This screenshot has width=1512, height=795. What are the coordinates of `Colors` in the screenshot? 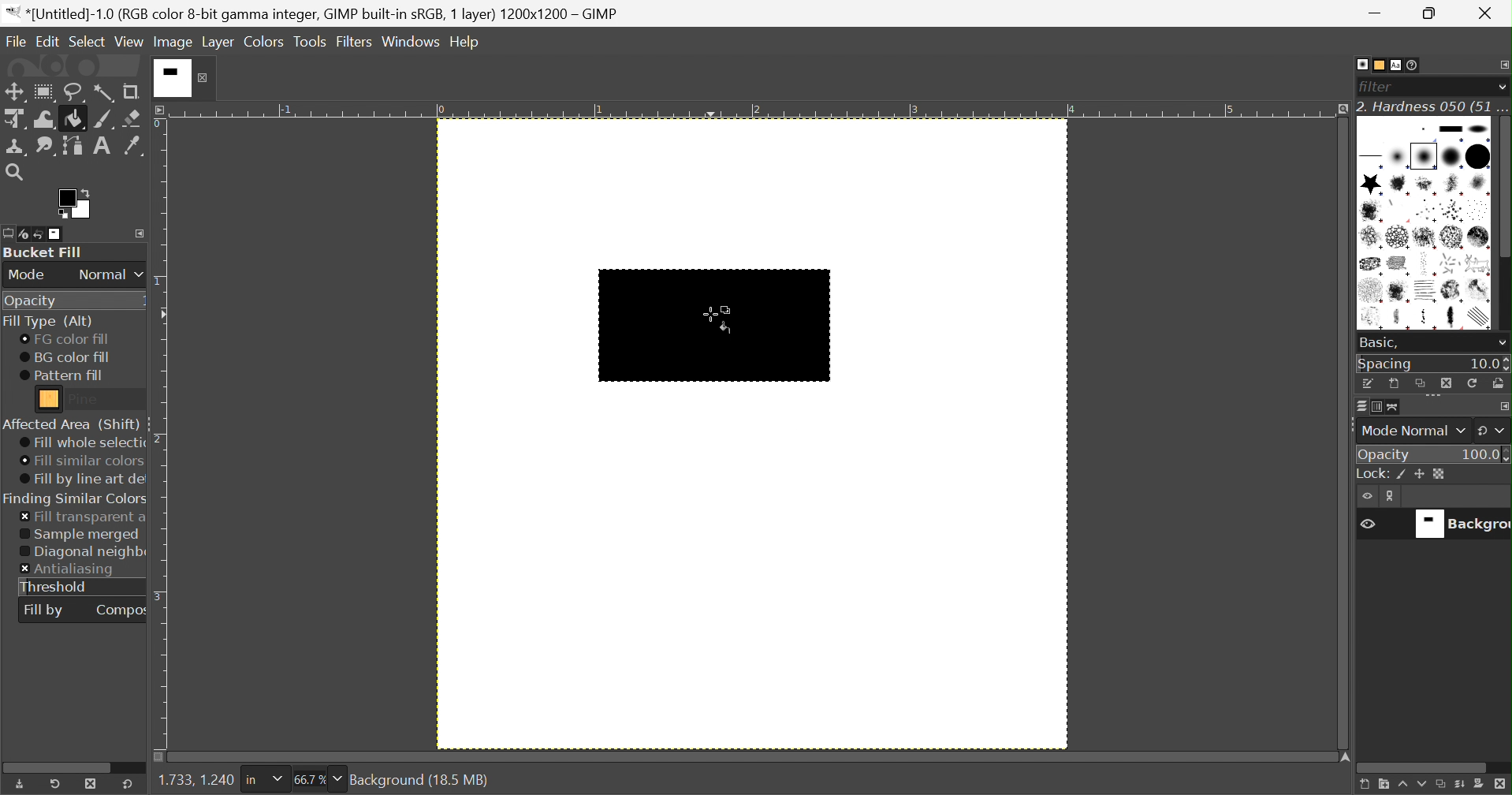 It's located at (263, 41).